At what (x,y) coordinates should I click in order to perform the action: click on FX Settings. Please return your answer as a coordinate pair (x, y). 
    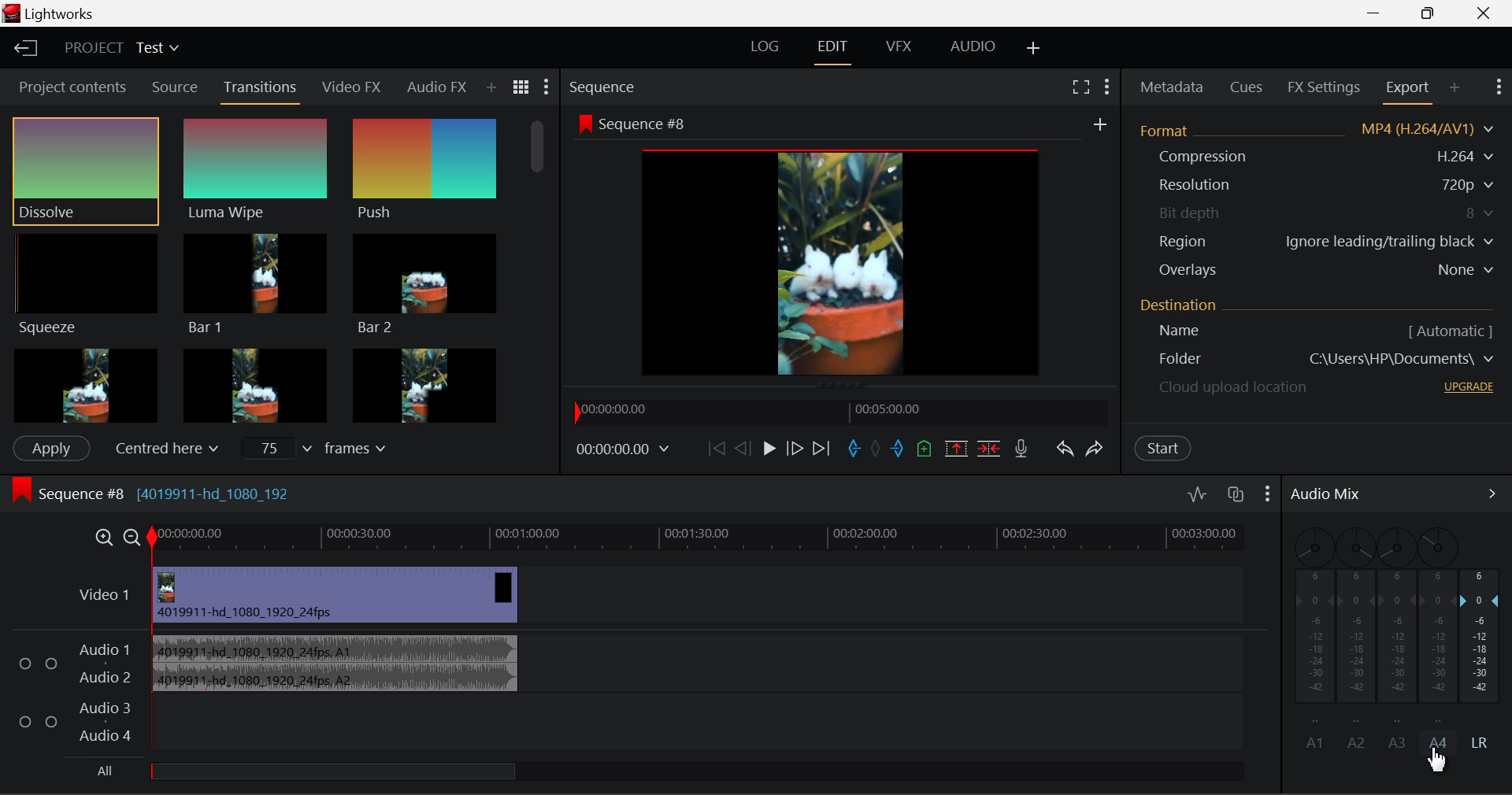
    Looking at the image, I should click on (1322, 87).